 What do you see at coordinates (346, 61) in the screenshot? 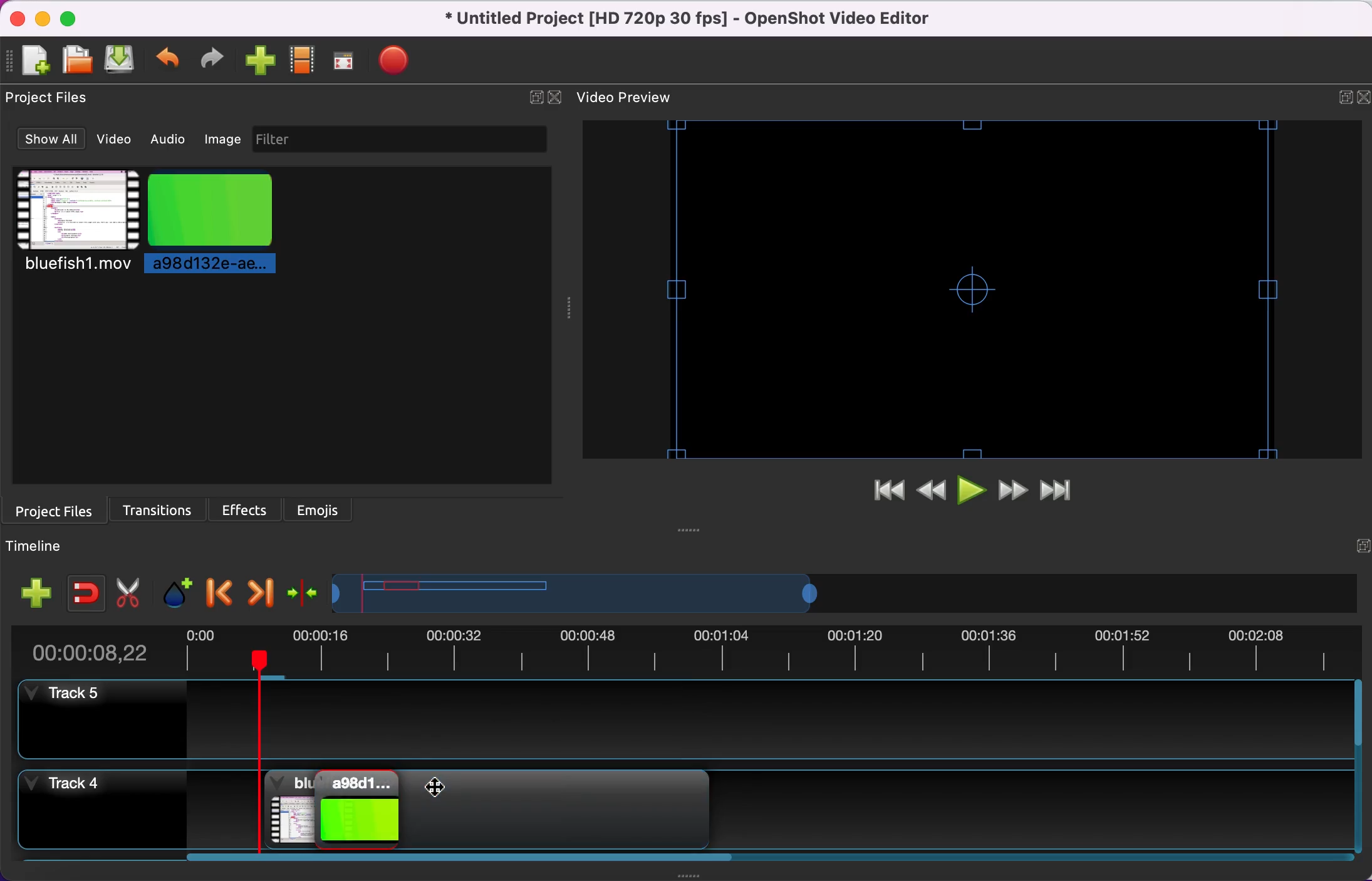
I see `fullscreen` at bounding box center [346, 61].